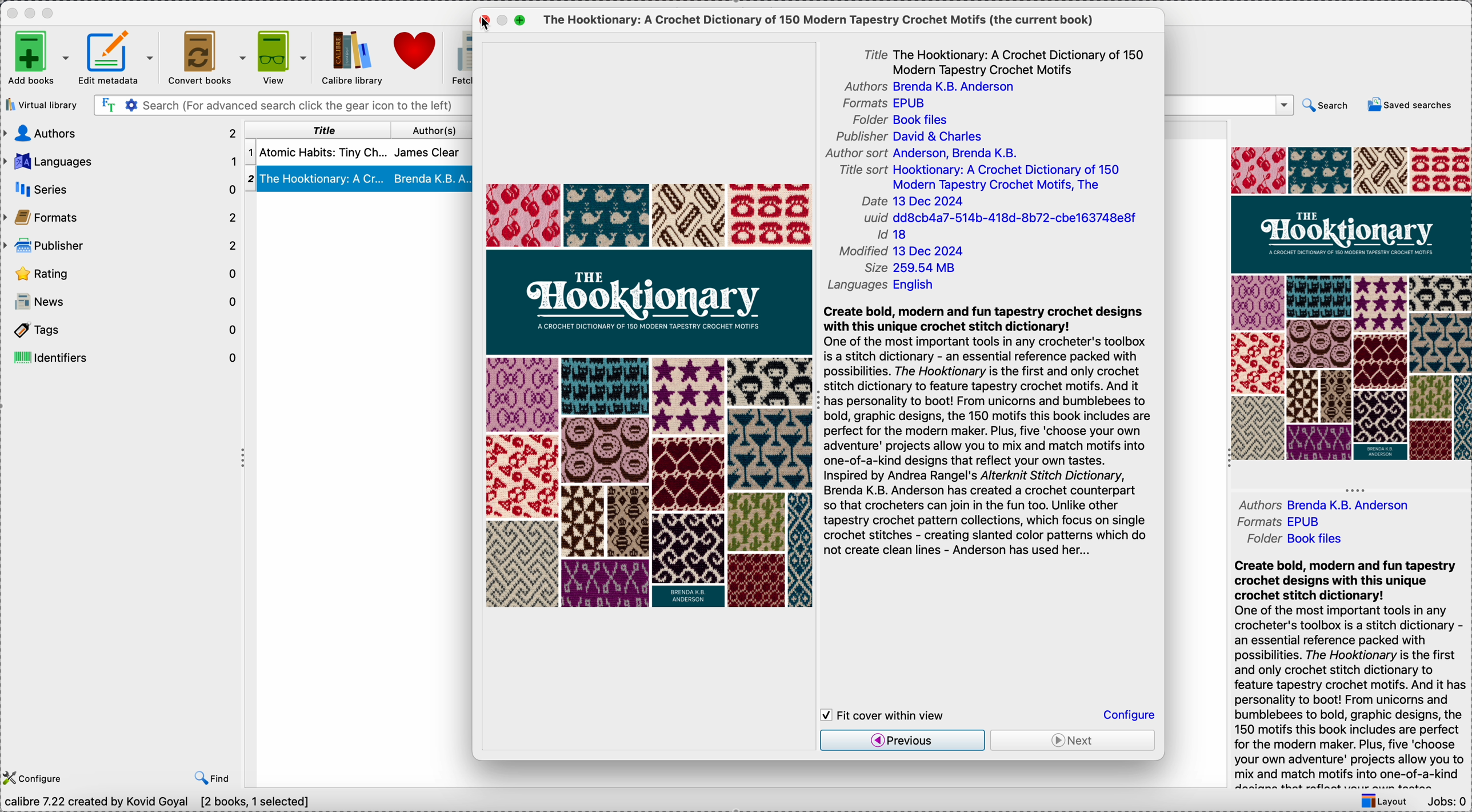 This screenshot has width=1472, height=812. Describe the element at coordinates (124, 303) in the screenshot. I see `news` at that location.